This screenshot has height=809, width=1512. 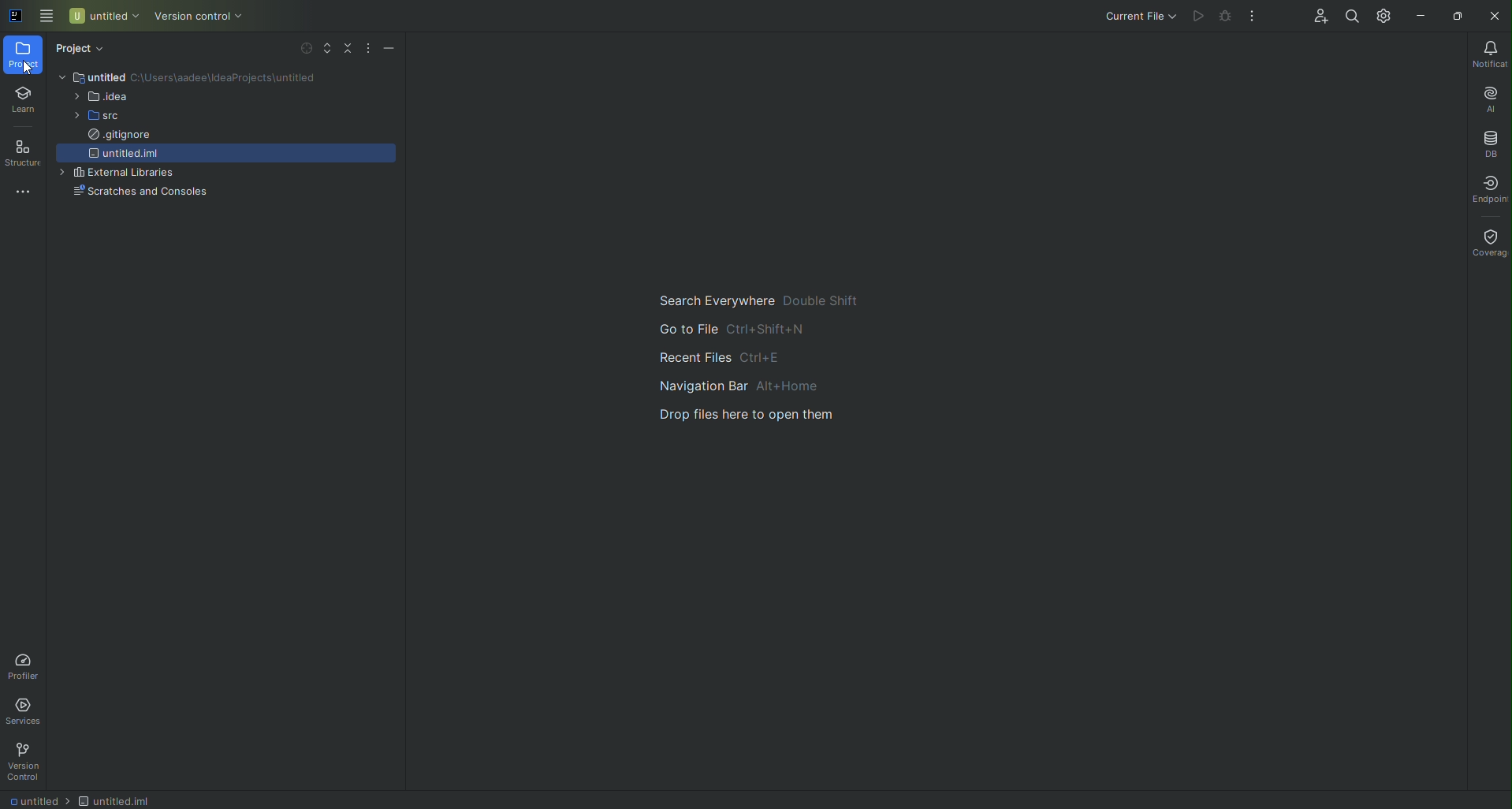 I want to click on Untitled, so click(x=117, y=800).